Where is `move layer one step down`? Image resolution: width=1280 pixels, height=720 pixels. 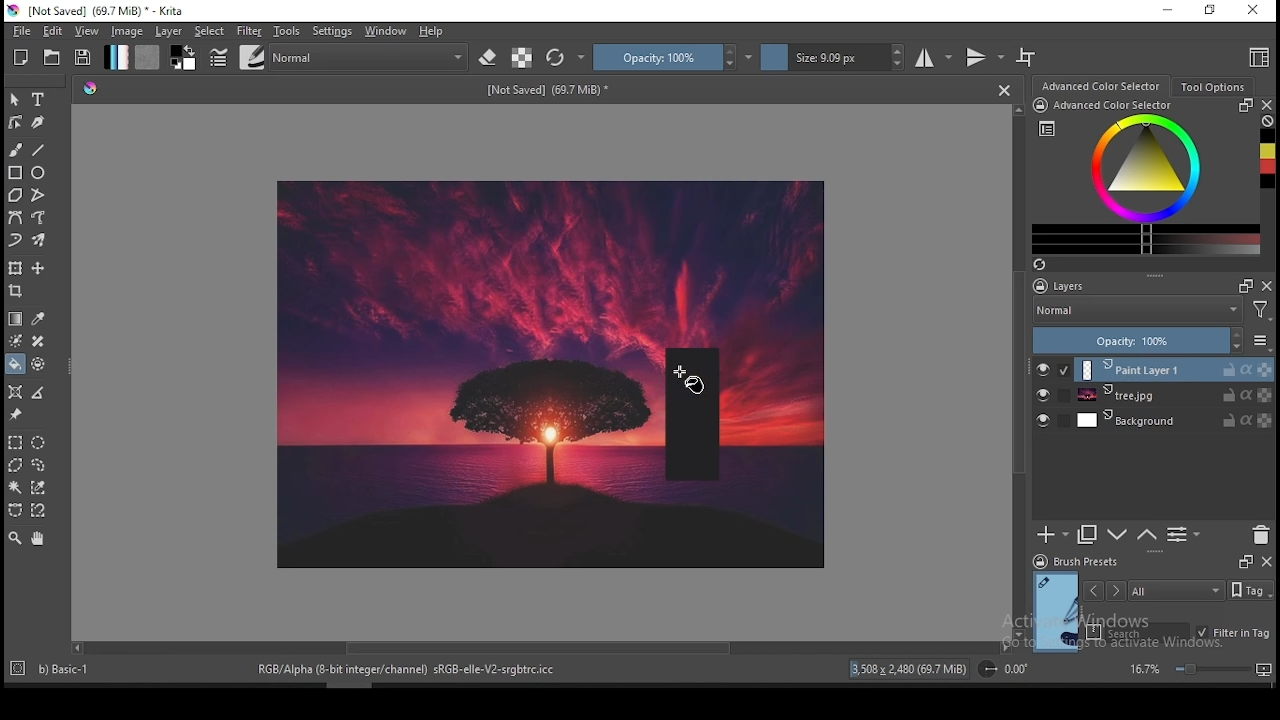 move layer one step down is located at coordinates (1116, 535).